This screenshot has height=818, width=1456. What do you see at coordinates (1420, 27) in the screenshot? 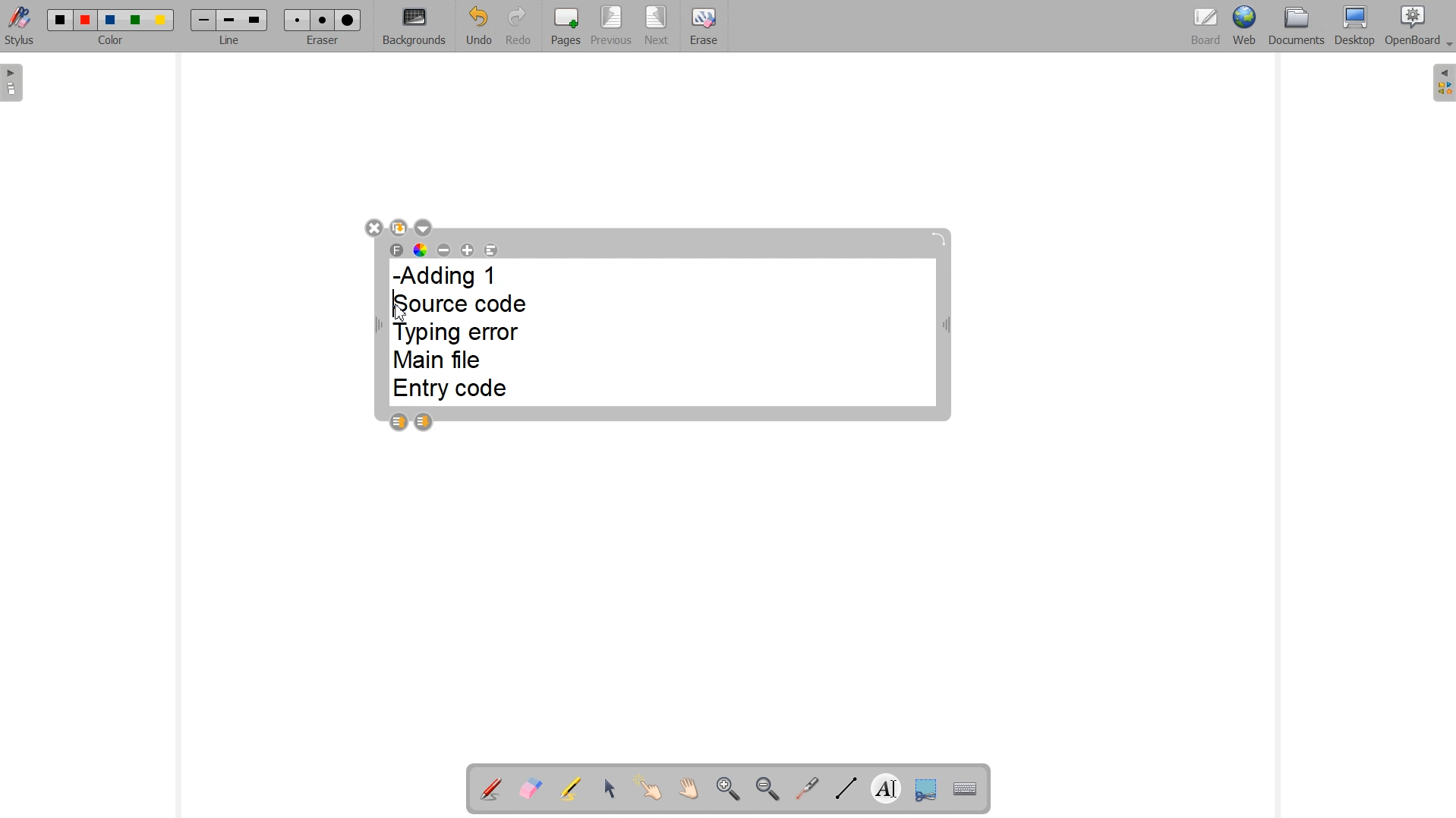
I see `OpenBoard` at bounding box center [1420, 27].